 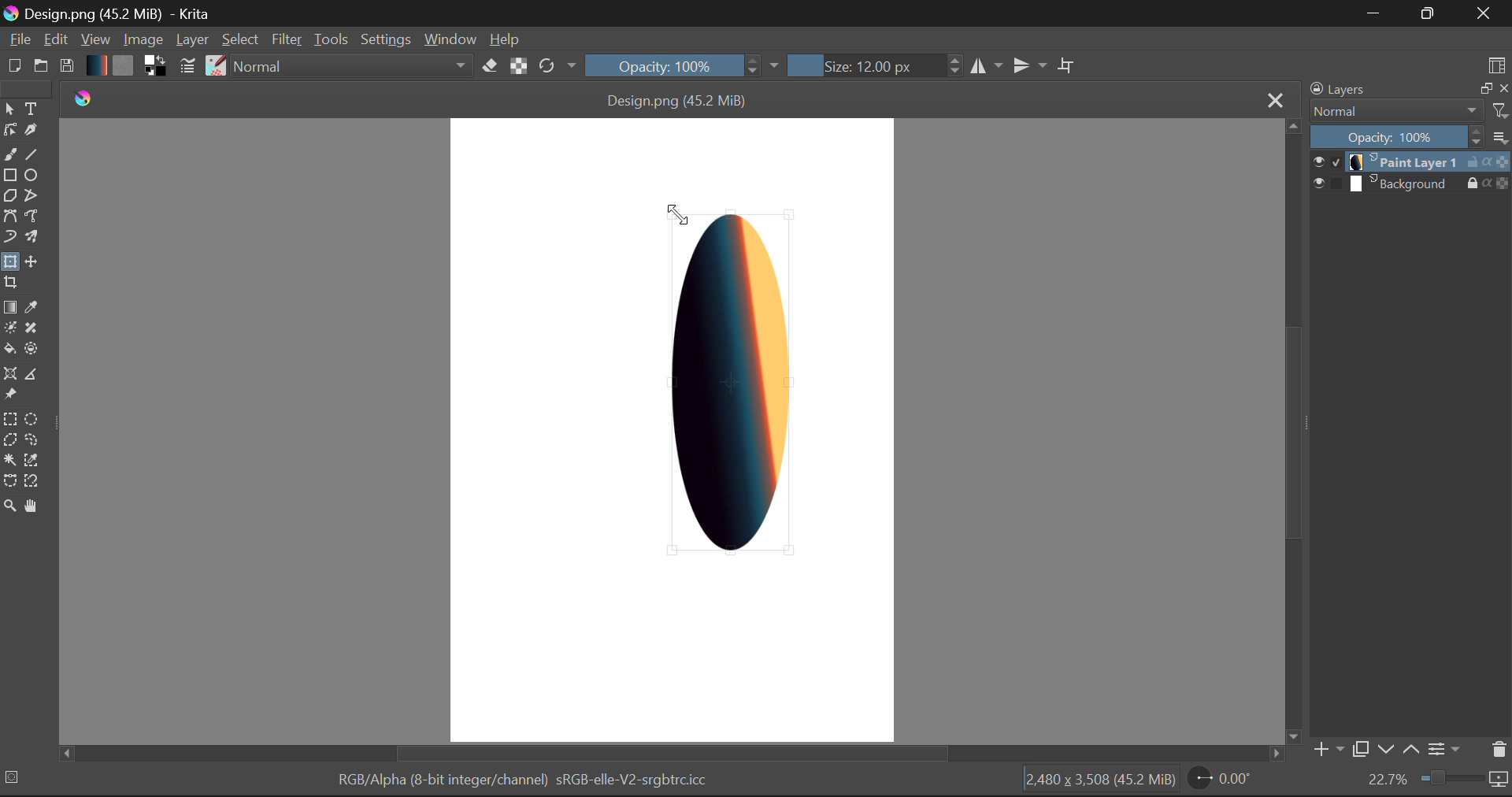 I want to click on Layers Docker Tab, so click(x=1409, y=89).